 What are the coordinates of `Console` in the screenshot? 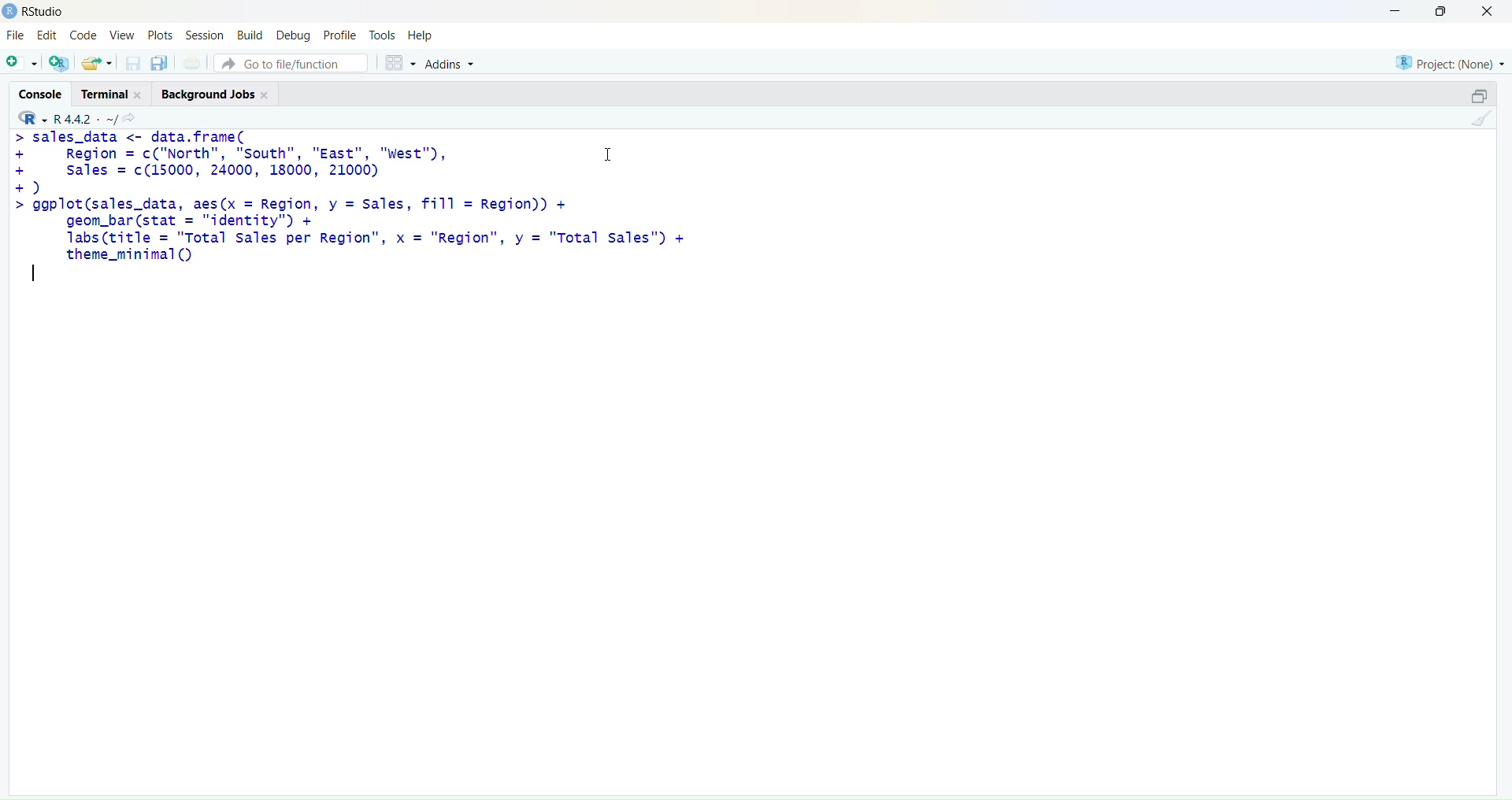 It's located at (37, 91).